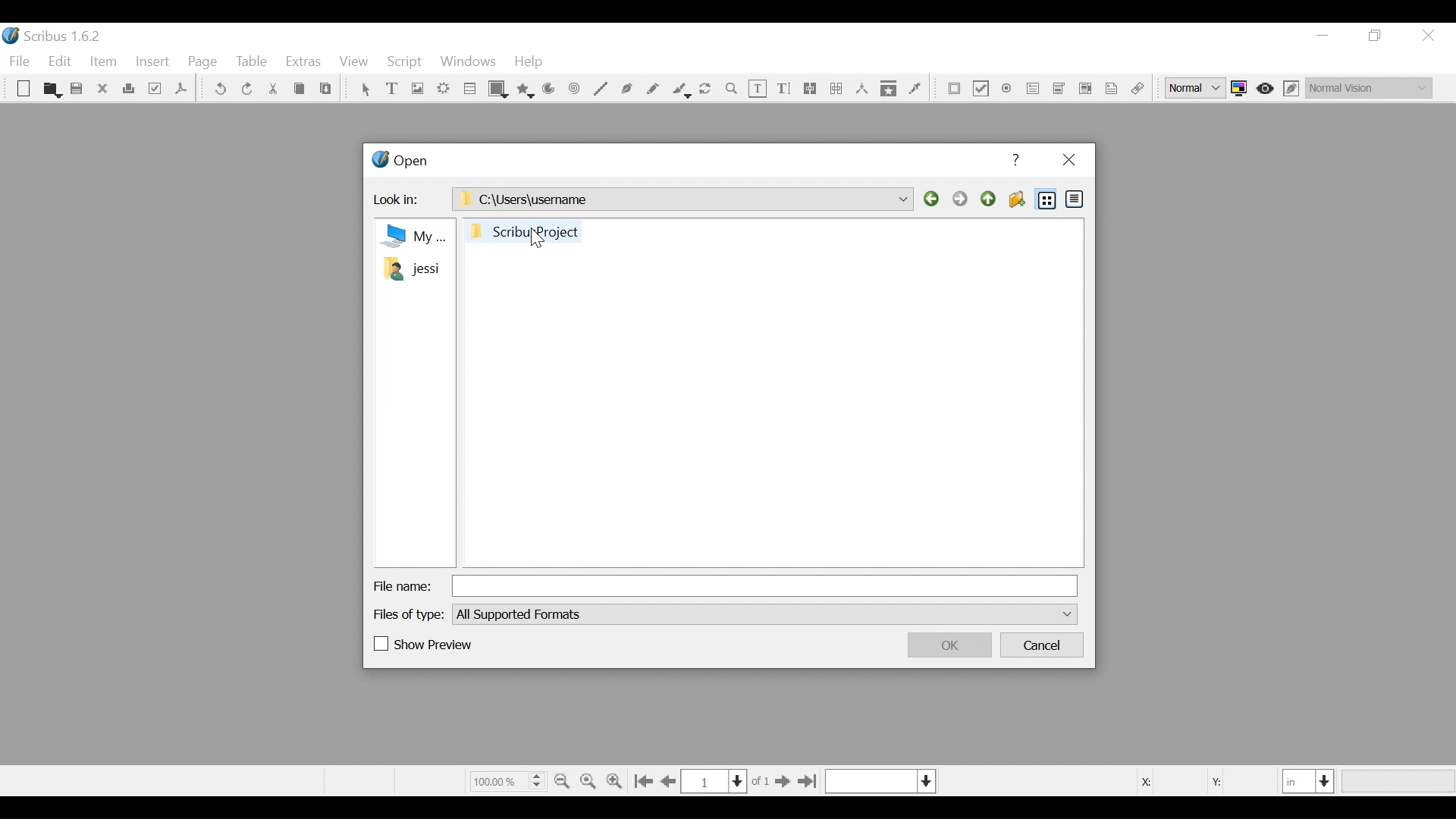  Describe the element at coordinates (1293, 88) in the screenshot. I see `Edit in Preview mode` at that location.